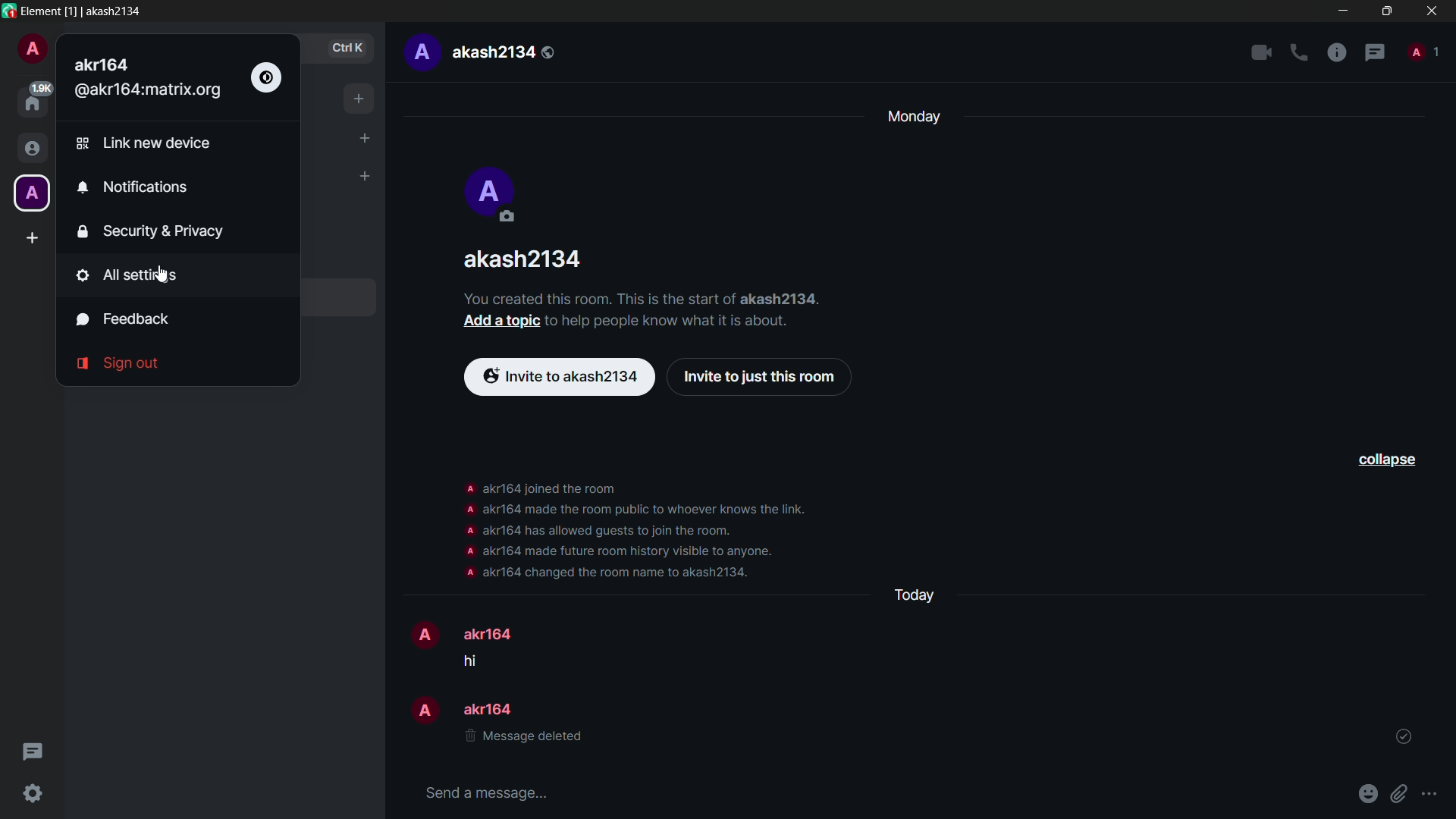 The image size is (1456, 819). I want to click on people icon, so click(30, 149).